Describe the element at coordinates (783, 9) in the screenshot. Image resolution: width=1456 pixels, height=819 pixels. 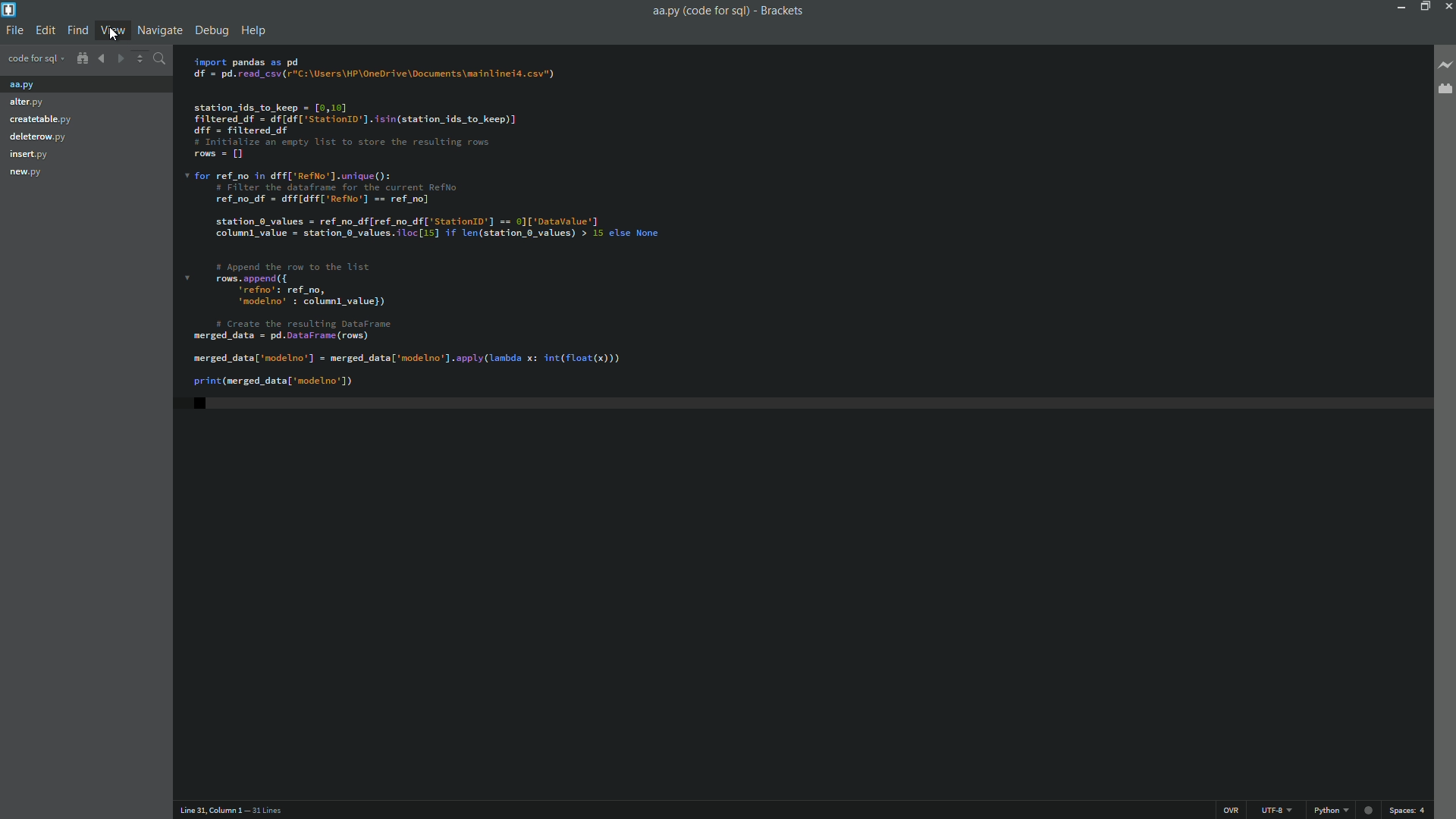
I see `app name` at that location.